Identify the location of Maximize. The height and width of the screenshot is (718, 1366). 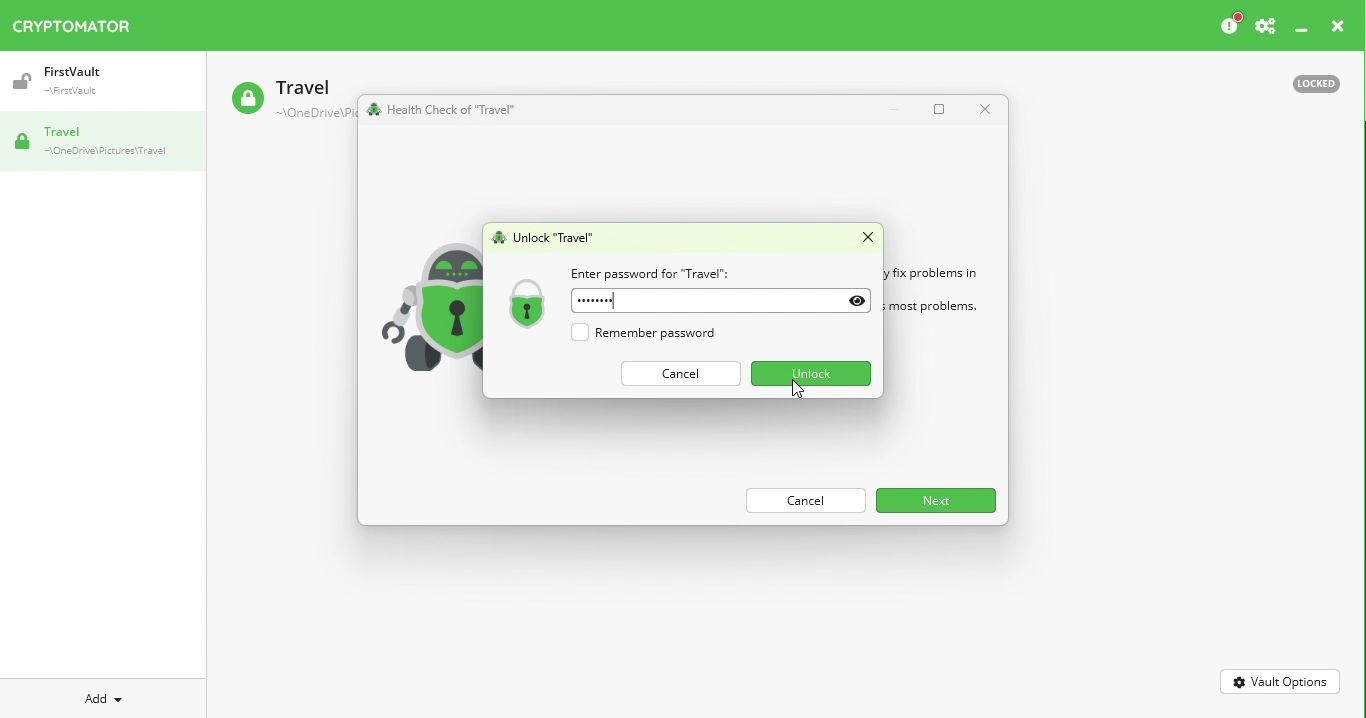
(939, 109).